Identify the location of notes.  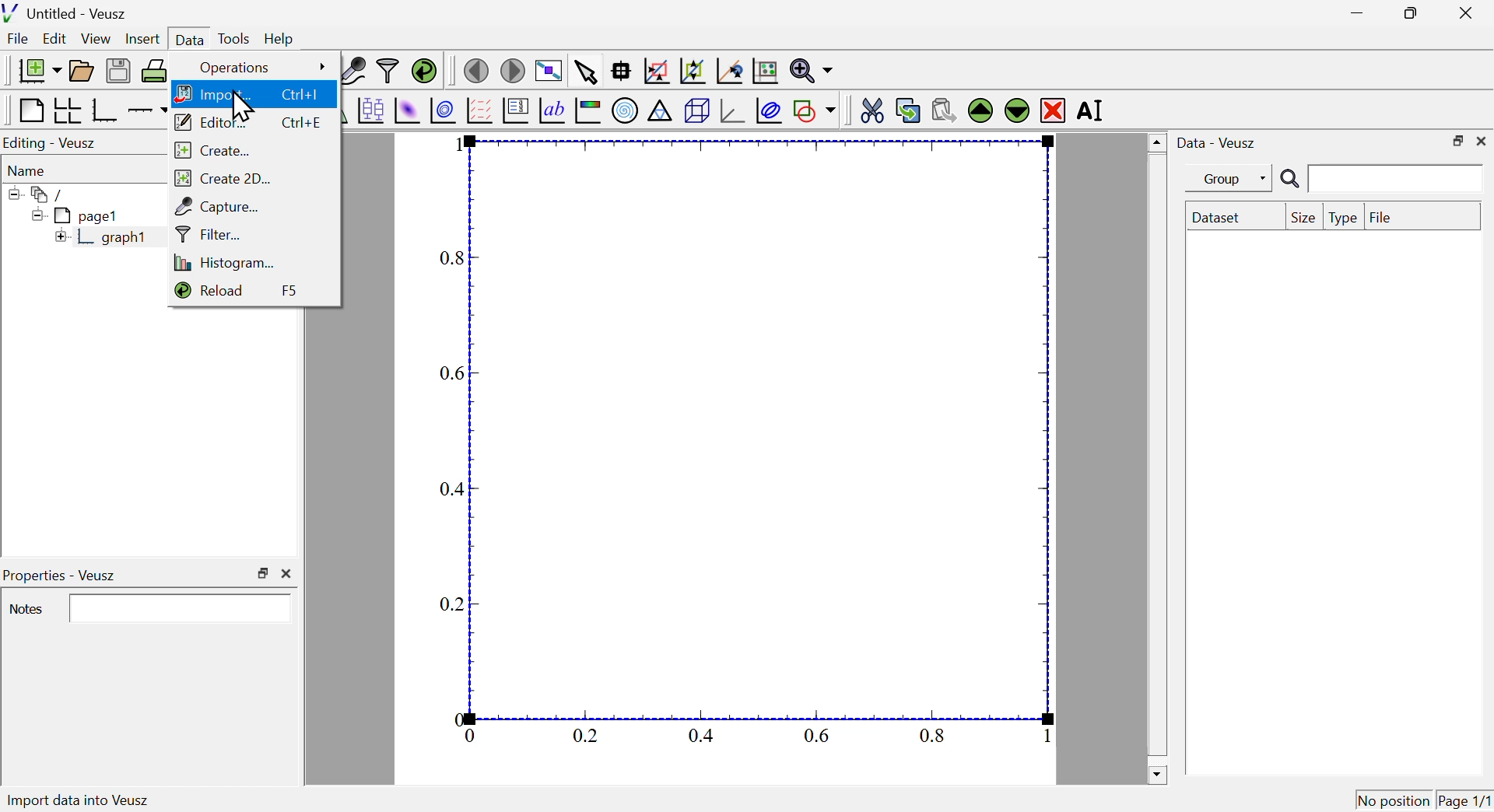
(27, 610).